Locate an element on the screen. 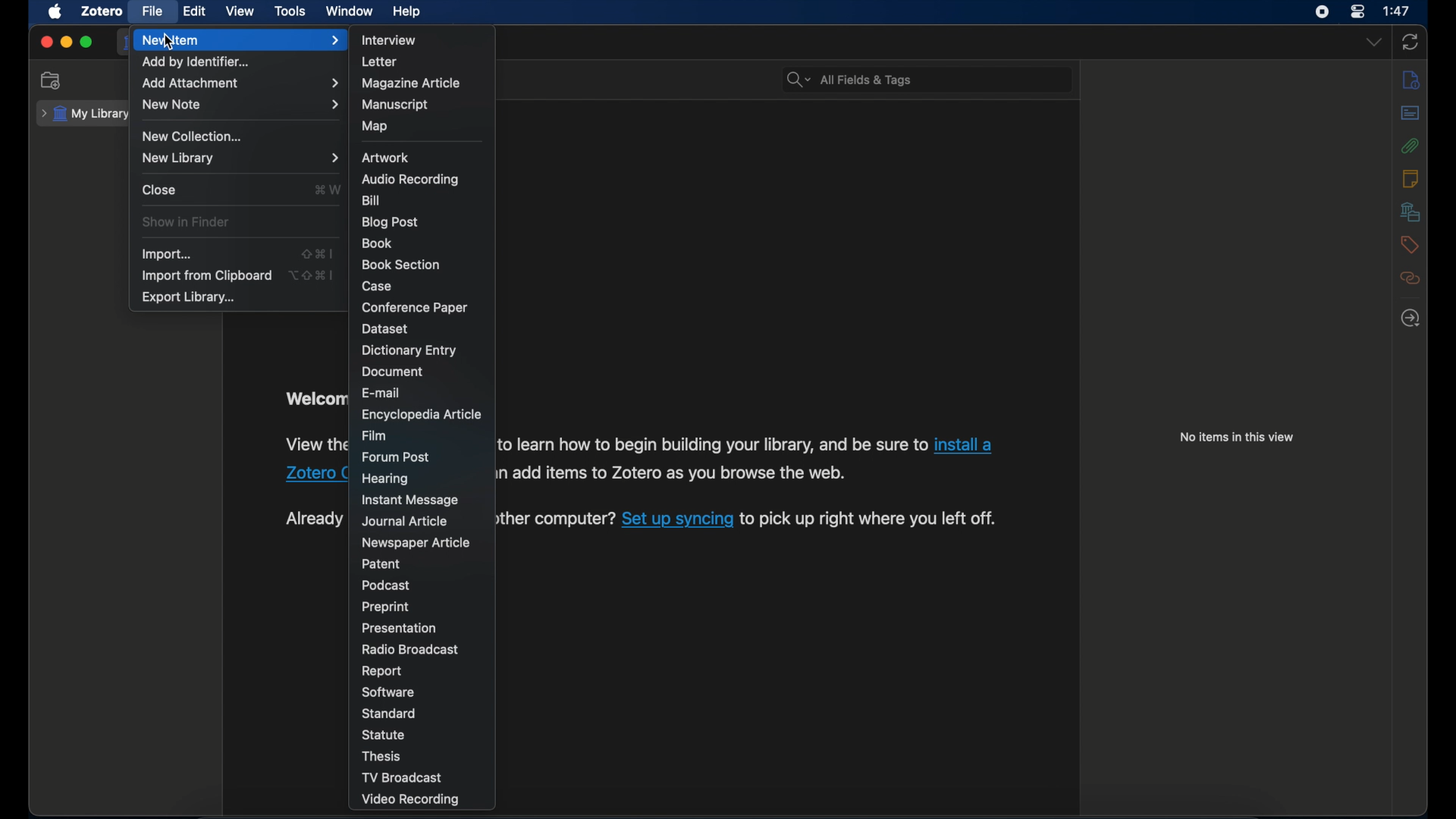  install a is located at coordinates (966, 442).